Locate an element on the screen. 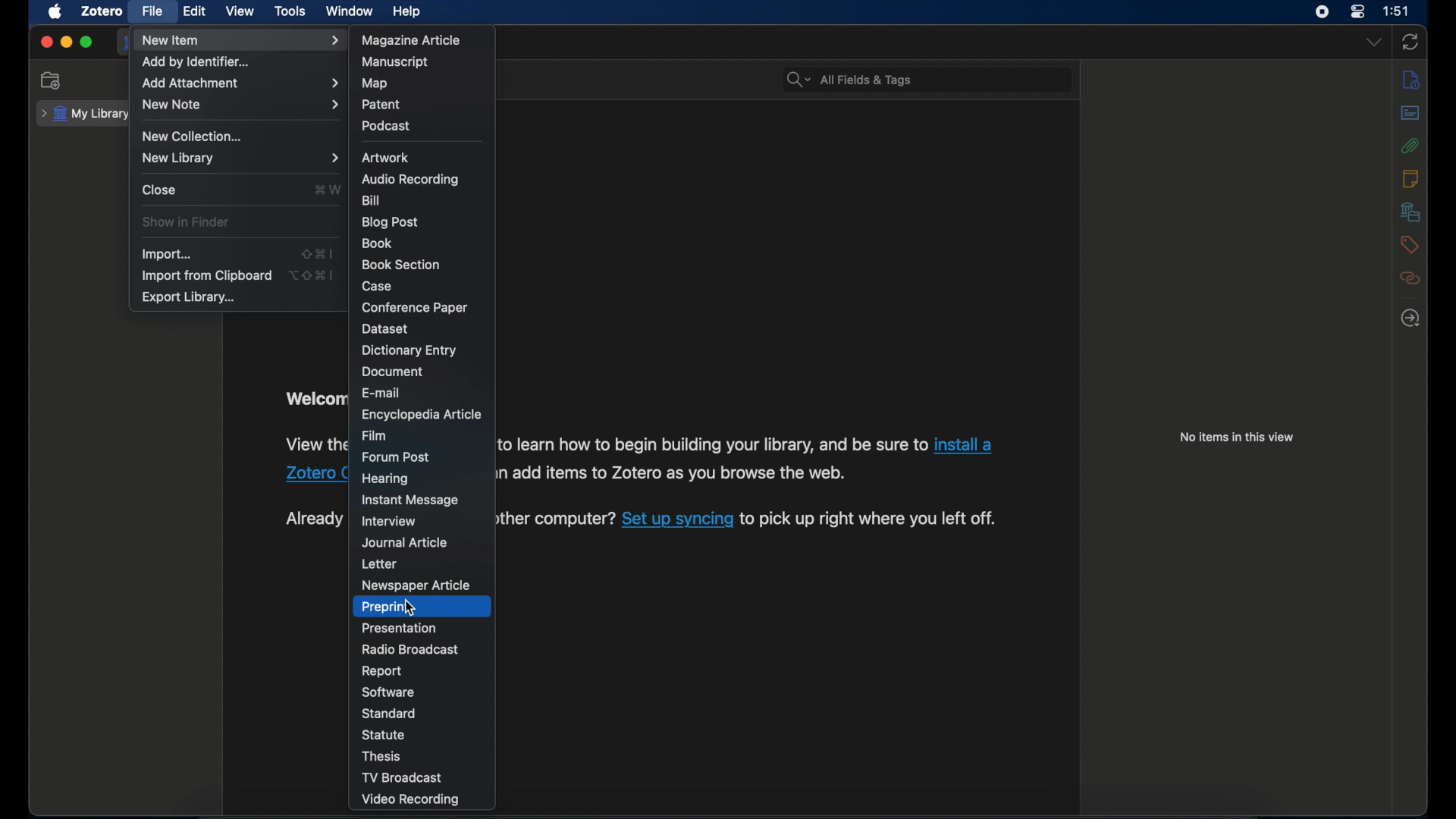  book is located at coordinates (378, 243).